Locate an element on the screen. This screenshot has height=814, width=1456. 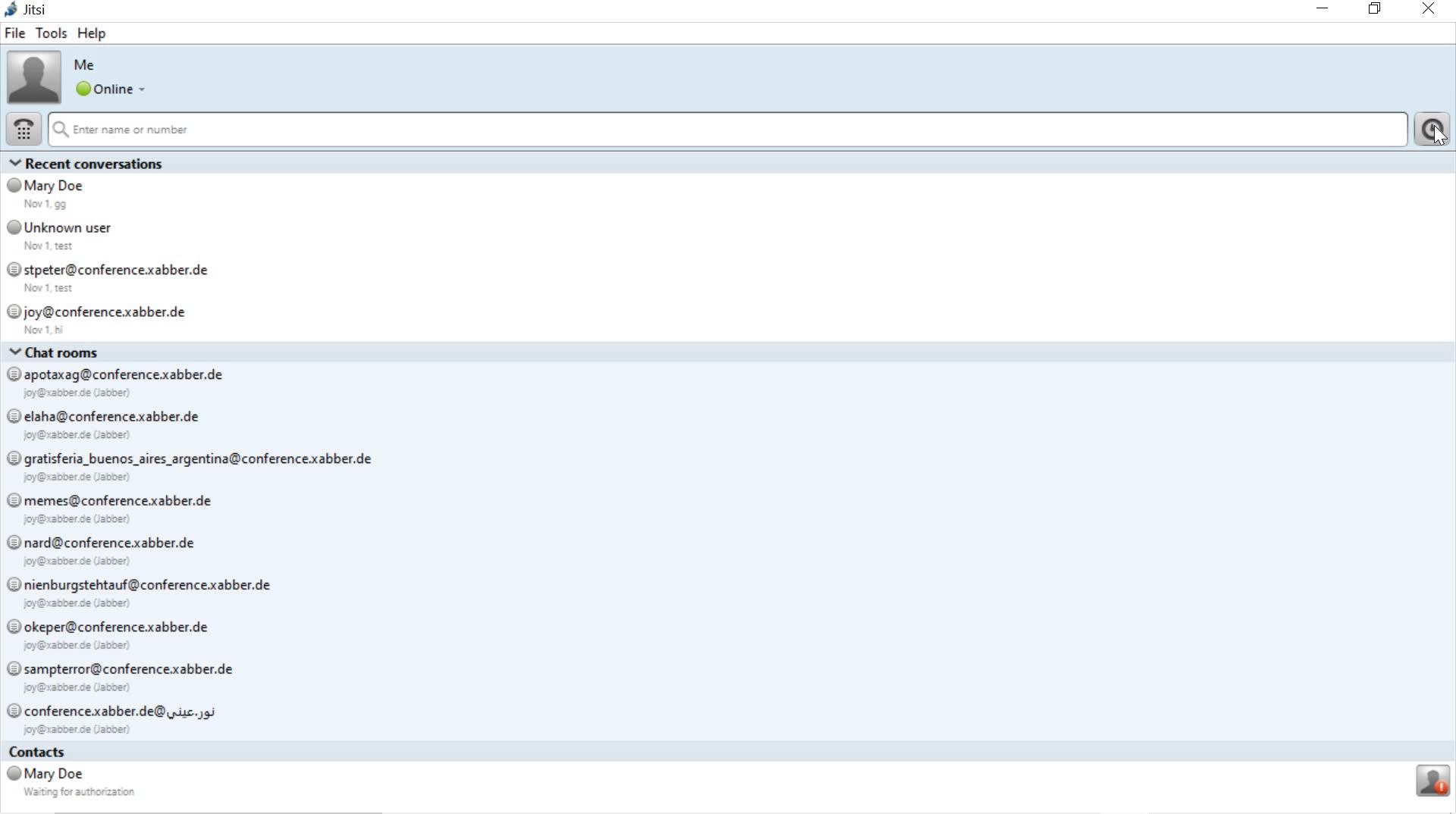
account image is located at coordinates (33, 77).